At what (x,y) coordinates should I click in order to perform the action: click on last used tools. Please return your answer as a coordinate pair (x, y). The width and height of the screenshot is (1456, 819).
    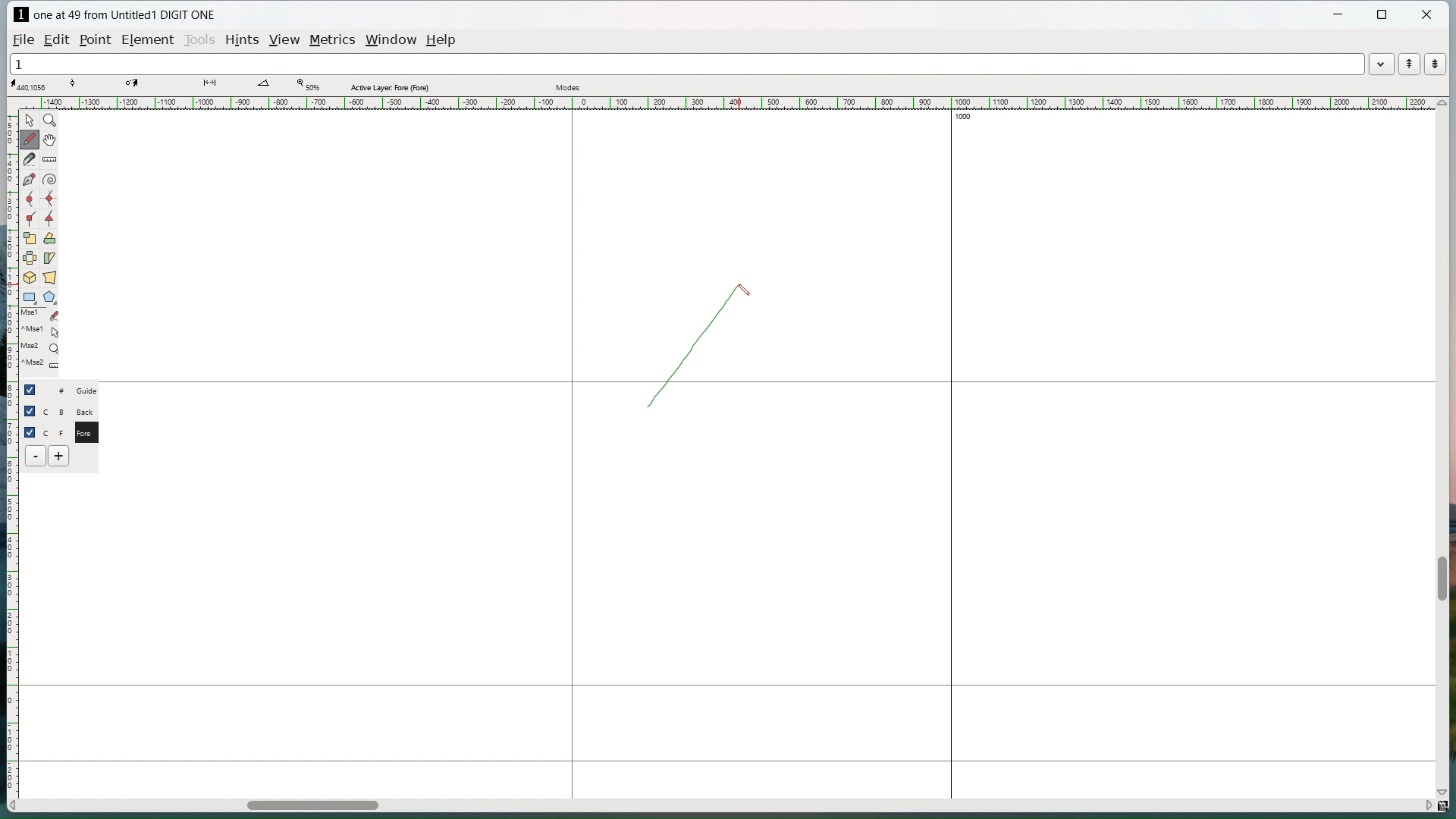
    Looking at the image, I should click on (39, 343).